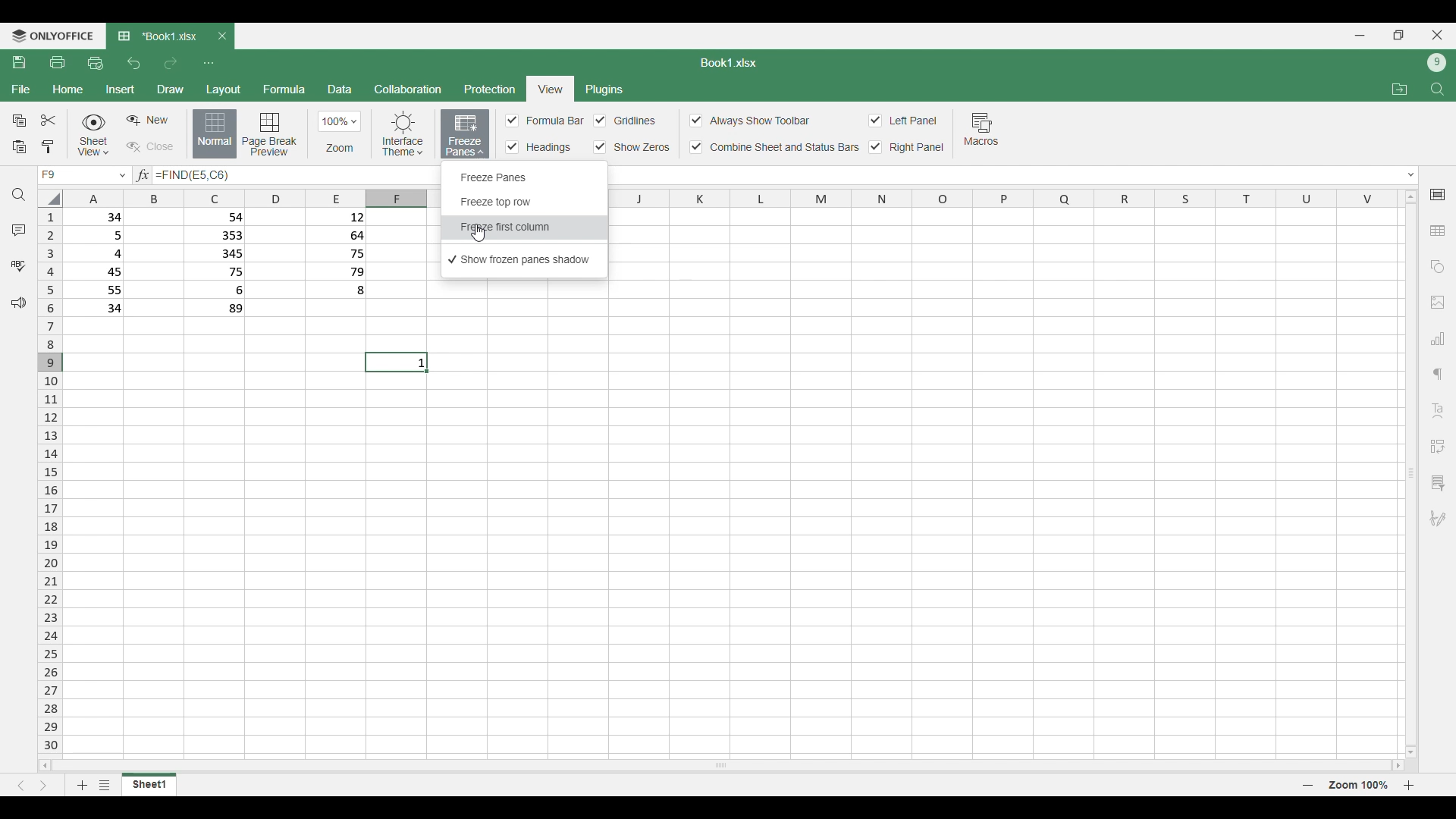  I want to click on Protection menu, so click(489, 89).